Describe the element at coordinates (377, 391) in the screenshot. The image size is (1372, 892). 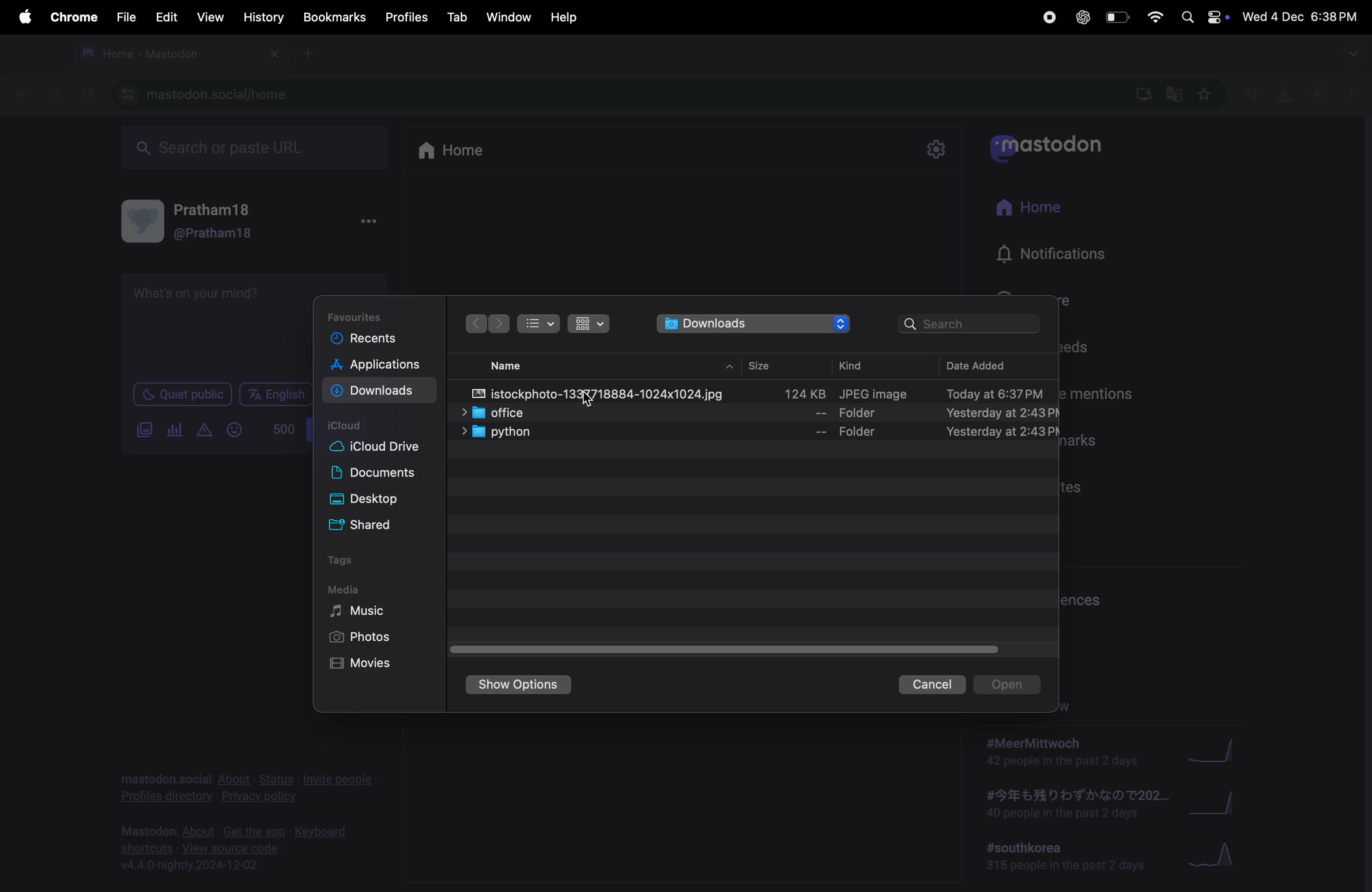
I see `Downloads` at that location.